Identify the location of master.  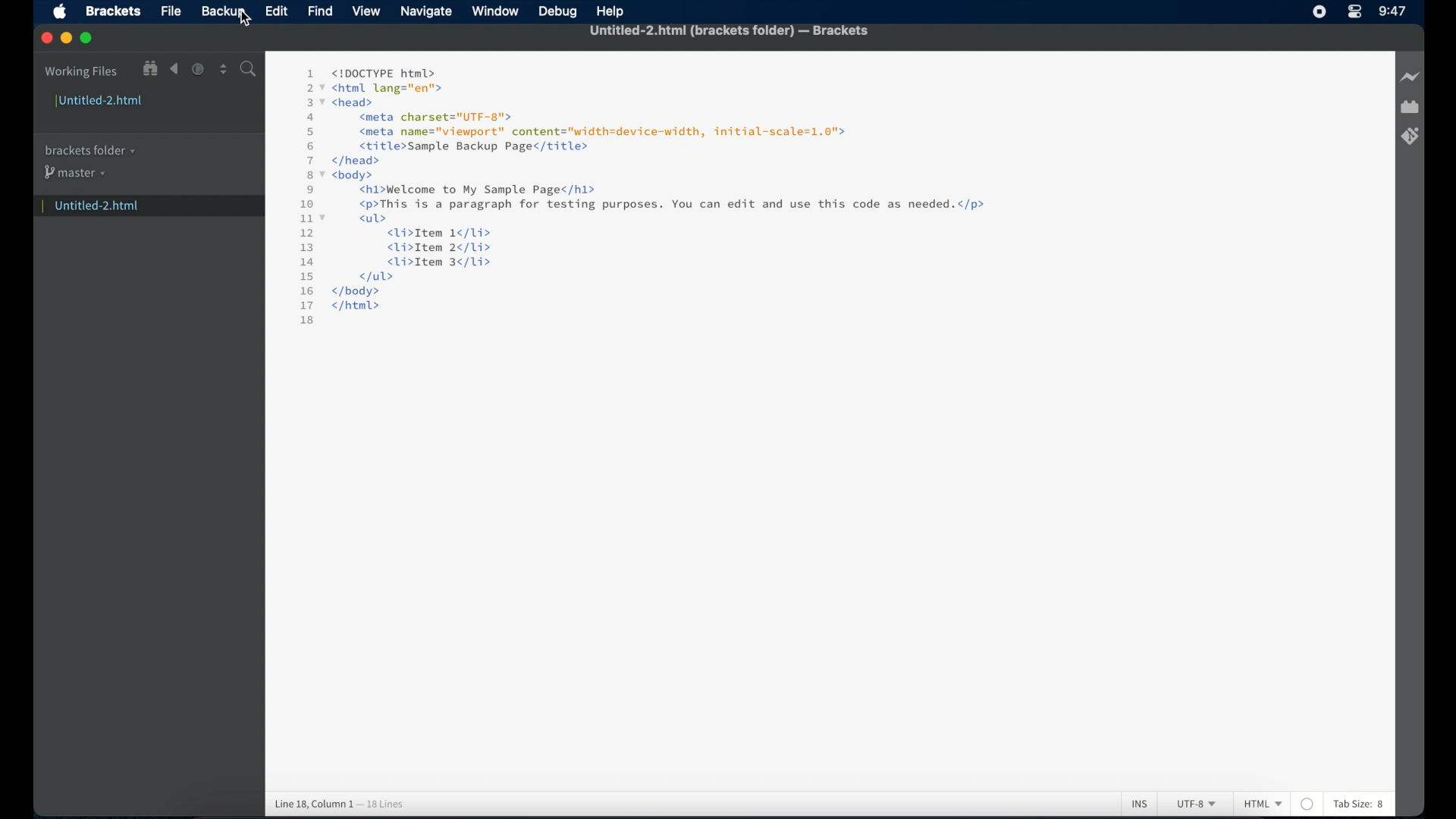
(77, 176).